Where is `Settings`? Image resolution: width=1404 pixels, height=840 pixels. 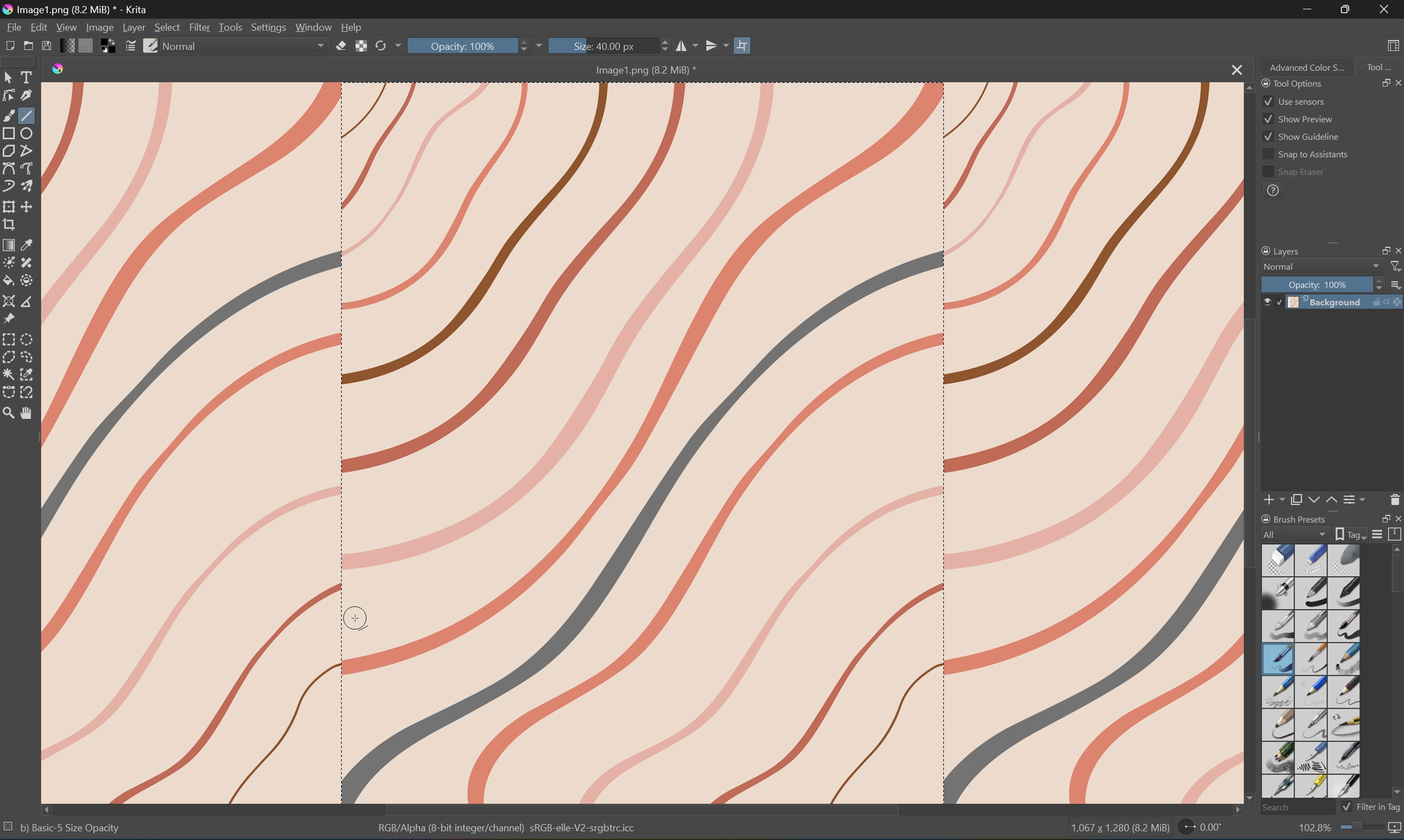
Settings is located at coordinates (268, 27).